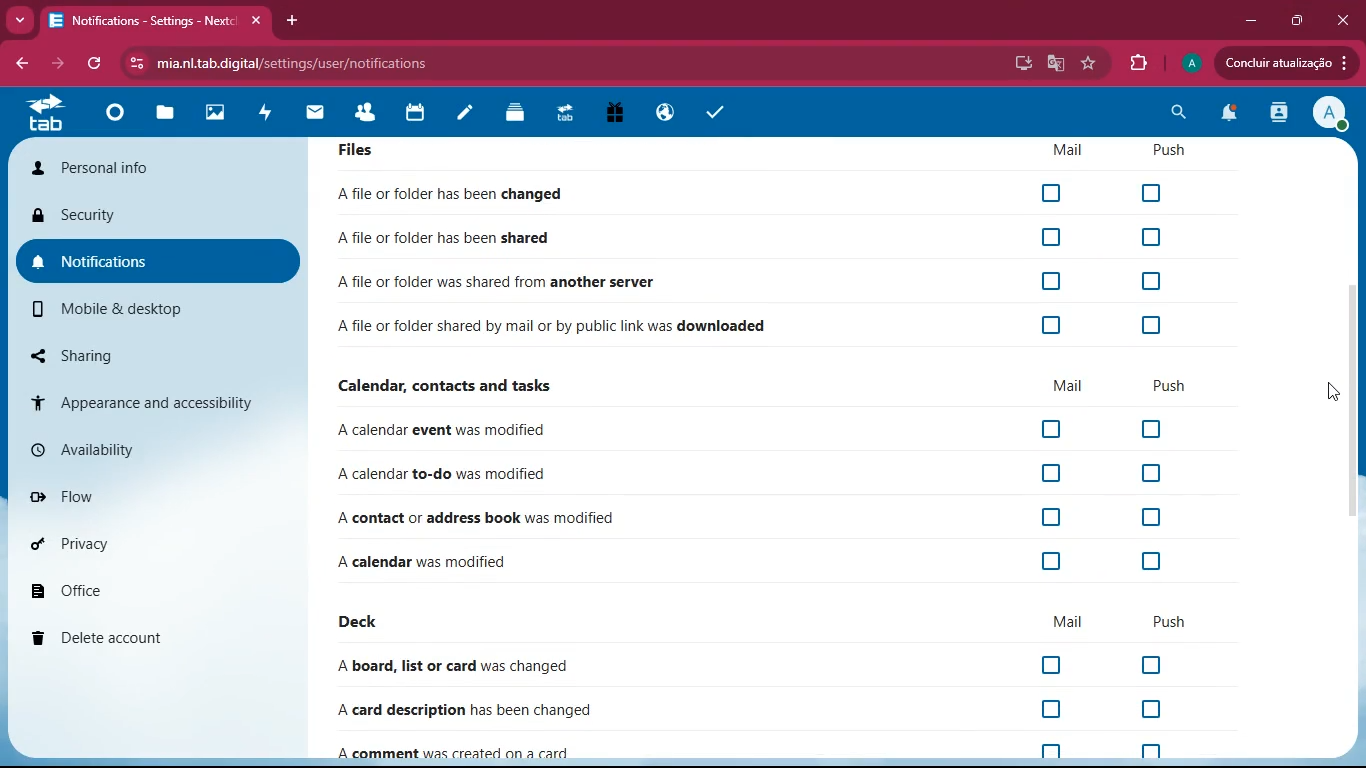 Image resolution: width=1366 pixels, height=768 pixels. What do you see at coordinates (222, 115) in the screenshot?
I see `images` at bounding box center [222, 115].